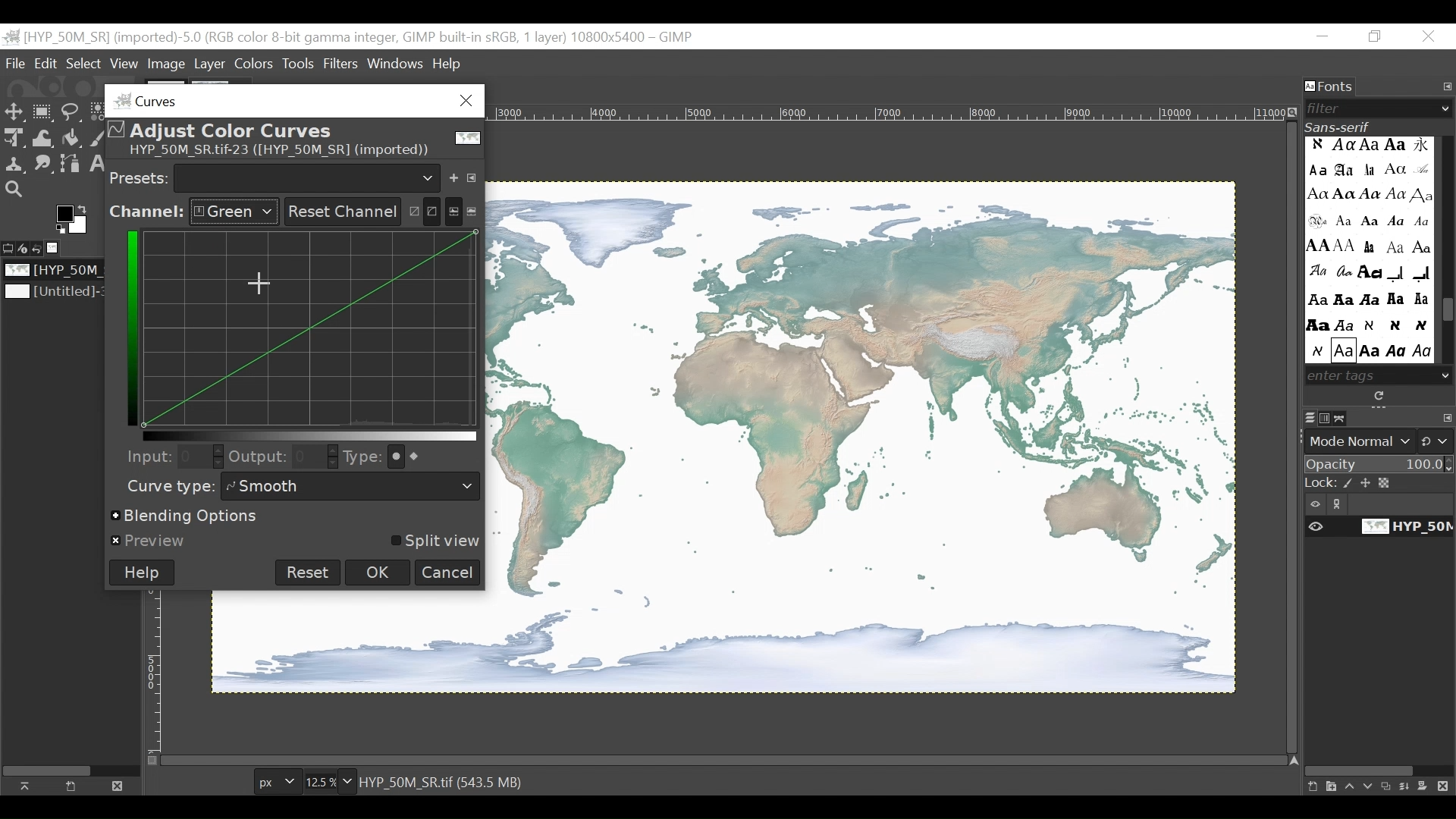 This screenshot has height=819, width=1456. What do you see at coordinates (475, 175) in the screenshot?
I see `Manage presets` at bounding box center [475, 175].